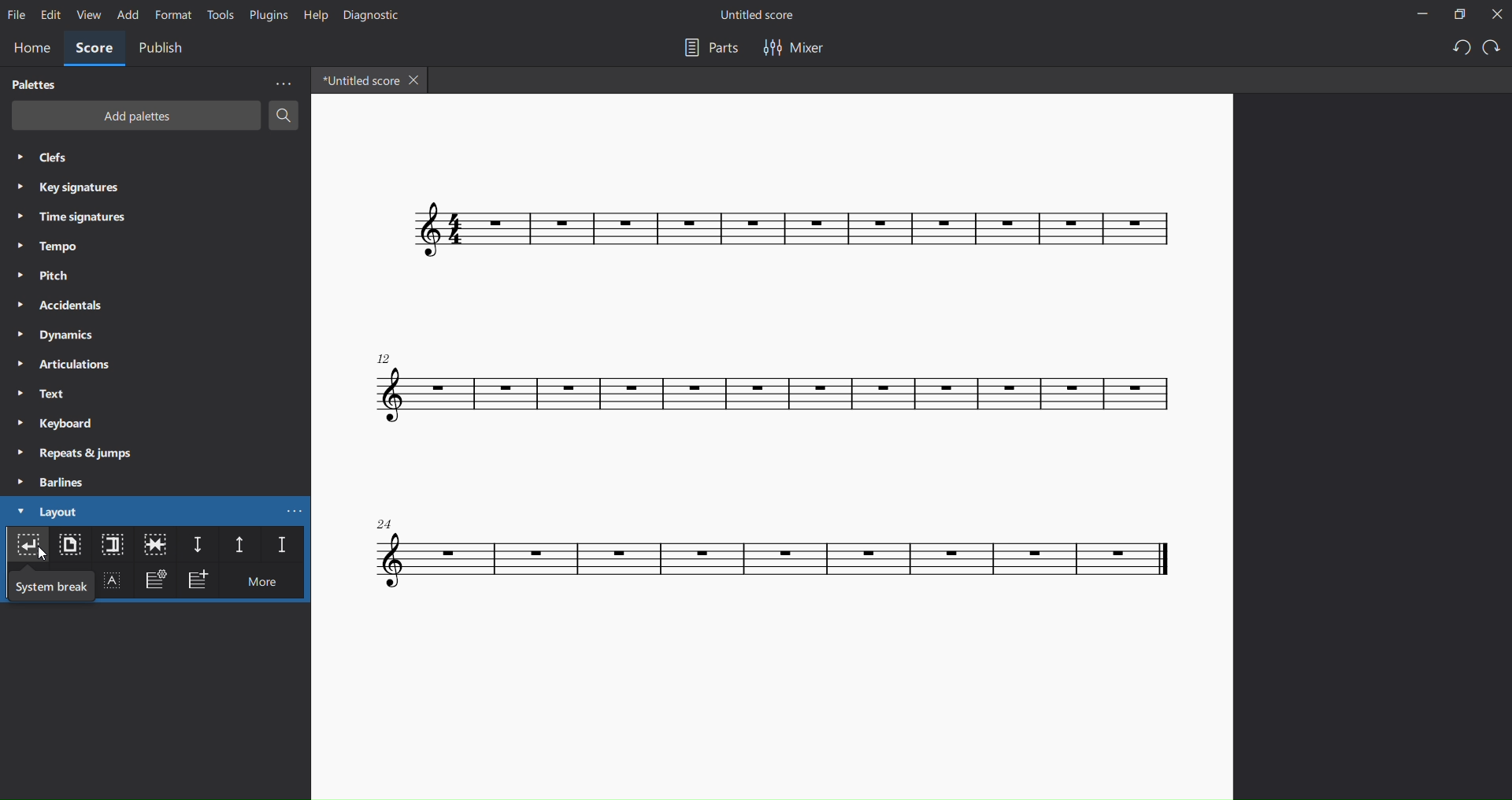 The image size is (1512, 800). What do you see at coordinates (706, 48) in the screenshot?
I see `parts` at bounding box center [706, 48].